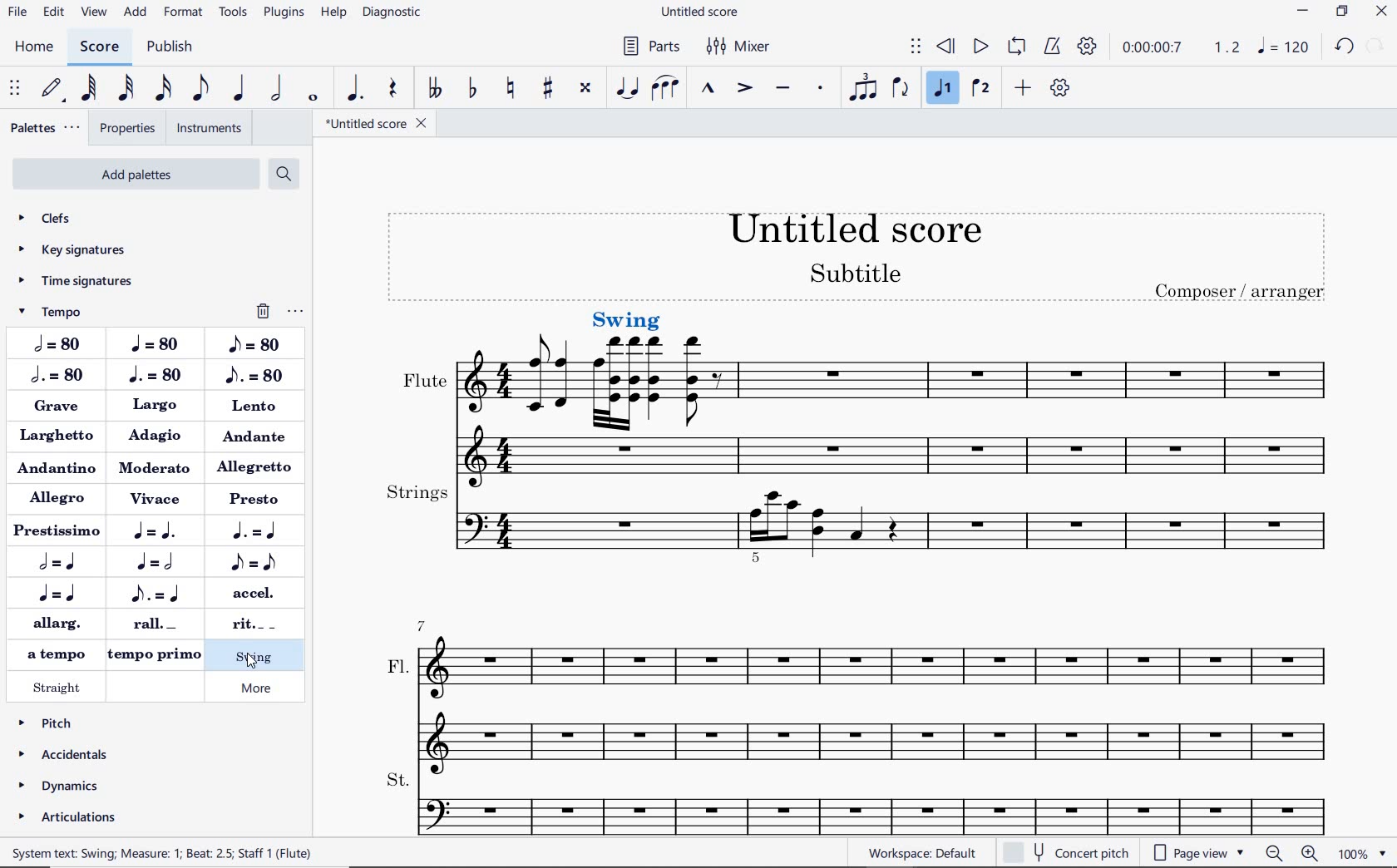 The height and width of the screenshot is (868, 1397). What do you see at coordinates (34, 46) in the screenshot?
I see `home` at bounding box center [34, 46].